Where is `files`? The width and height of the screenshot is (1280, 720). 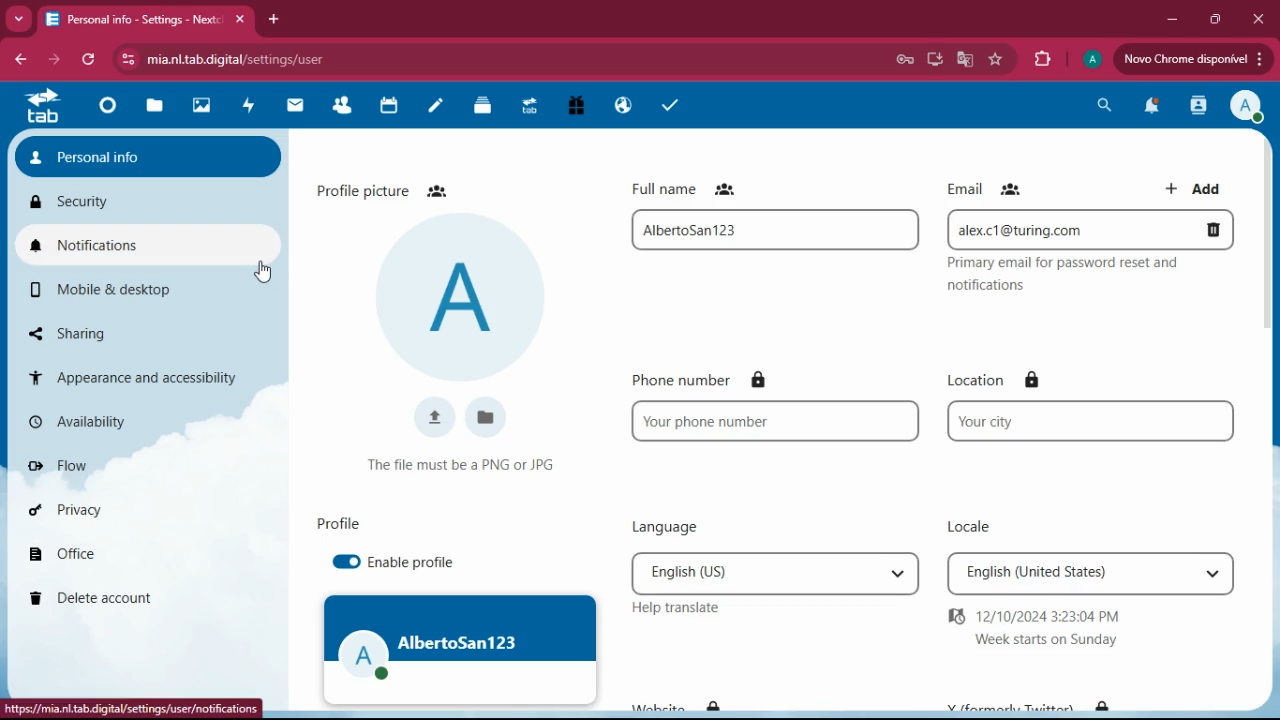 files is located at coordinates (485, 418).